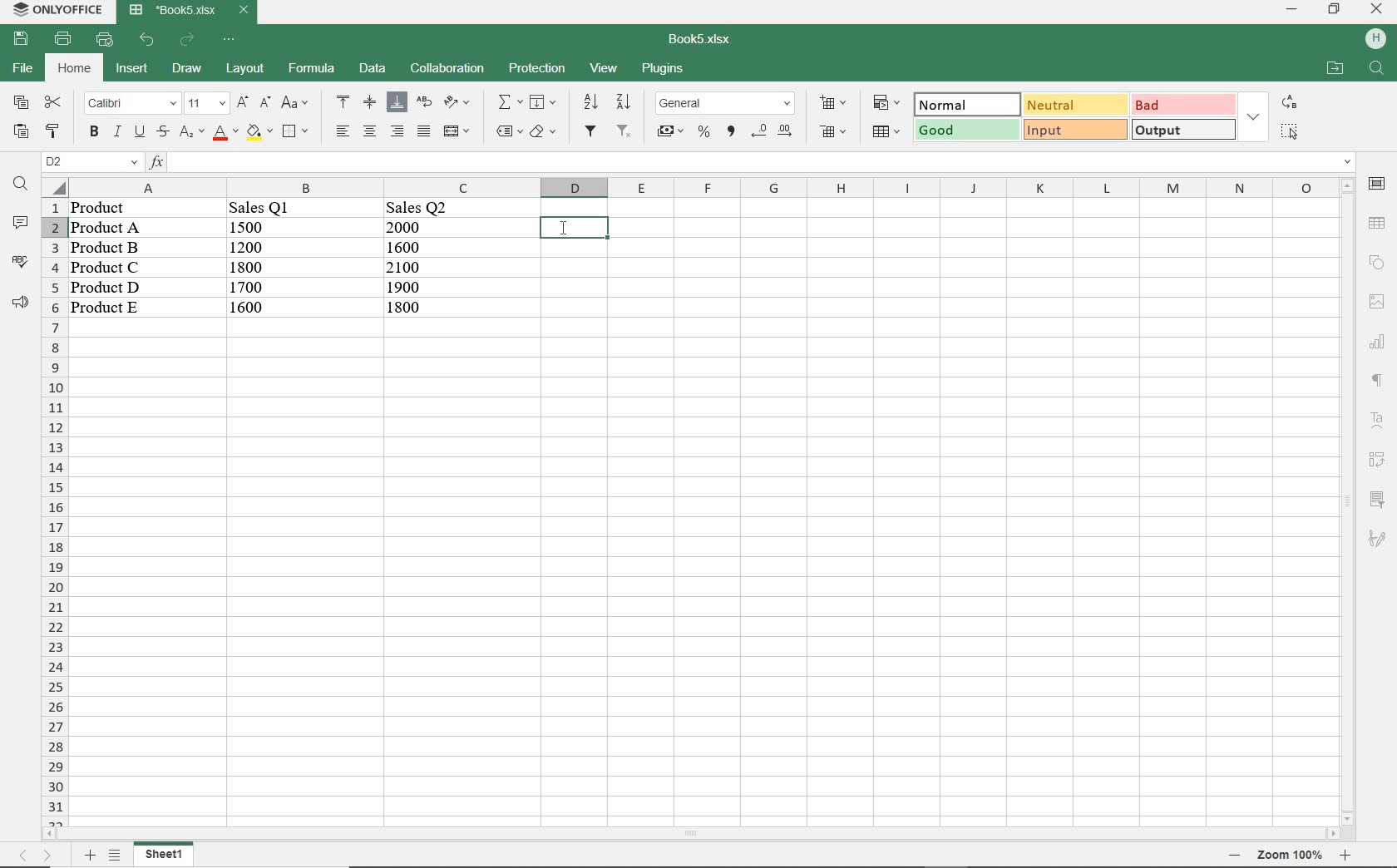 The width and height of the screenshot is (1397, 868). Describe the element at coordinates (1184, 131) in the screenshot. I see `output` at that location.